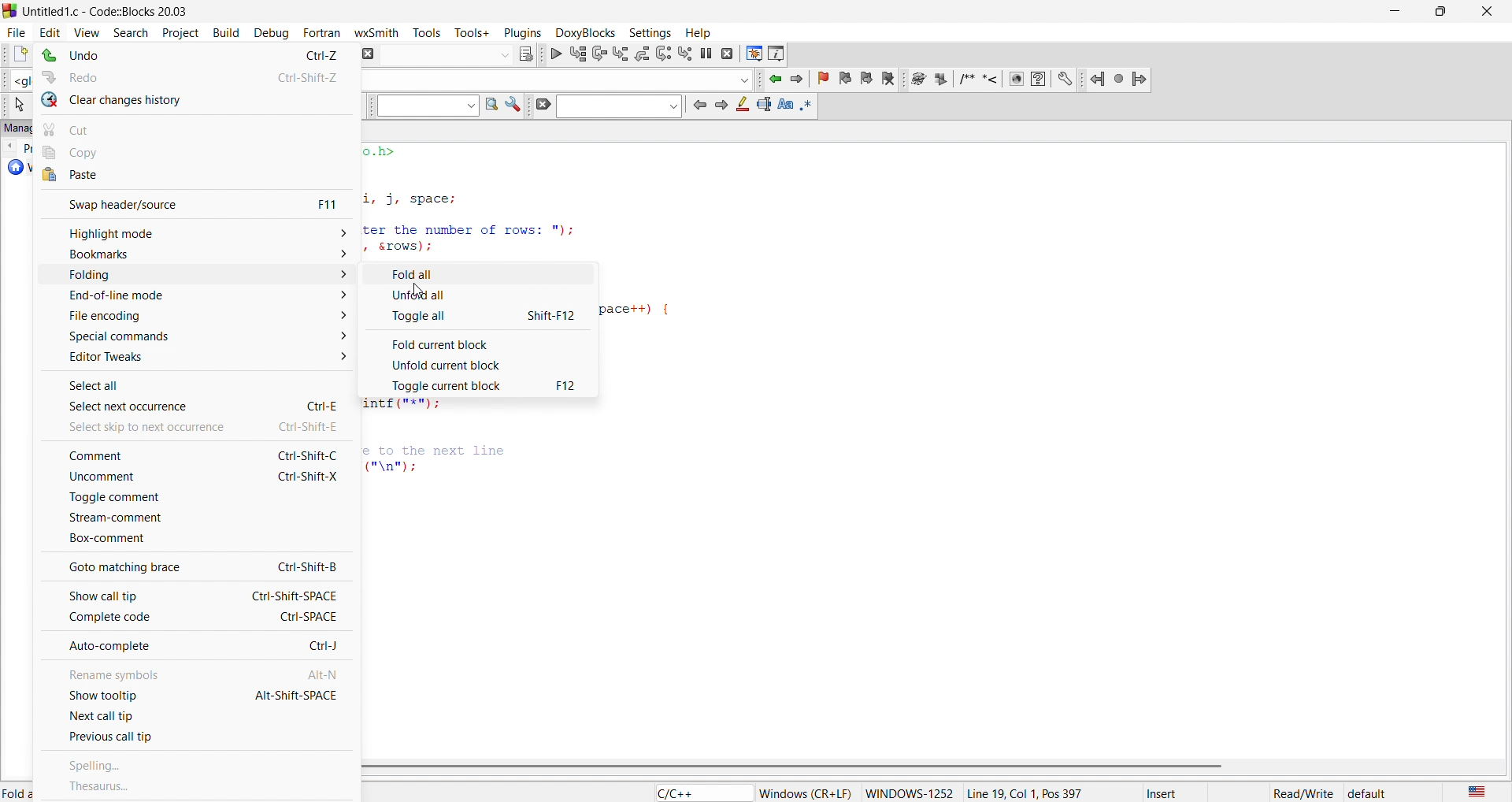 Image resolution: width=1512 pixels, height=802 pixels. I want to click on jump backward, so click(776, 79).